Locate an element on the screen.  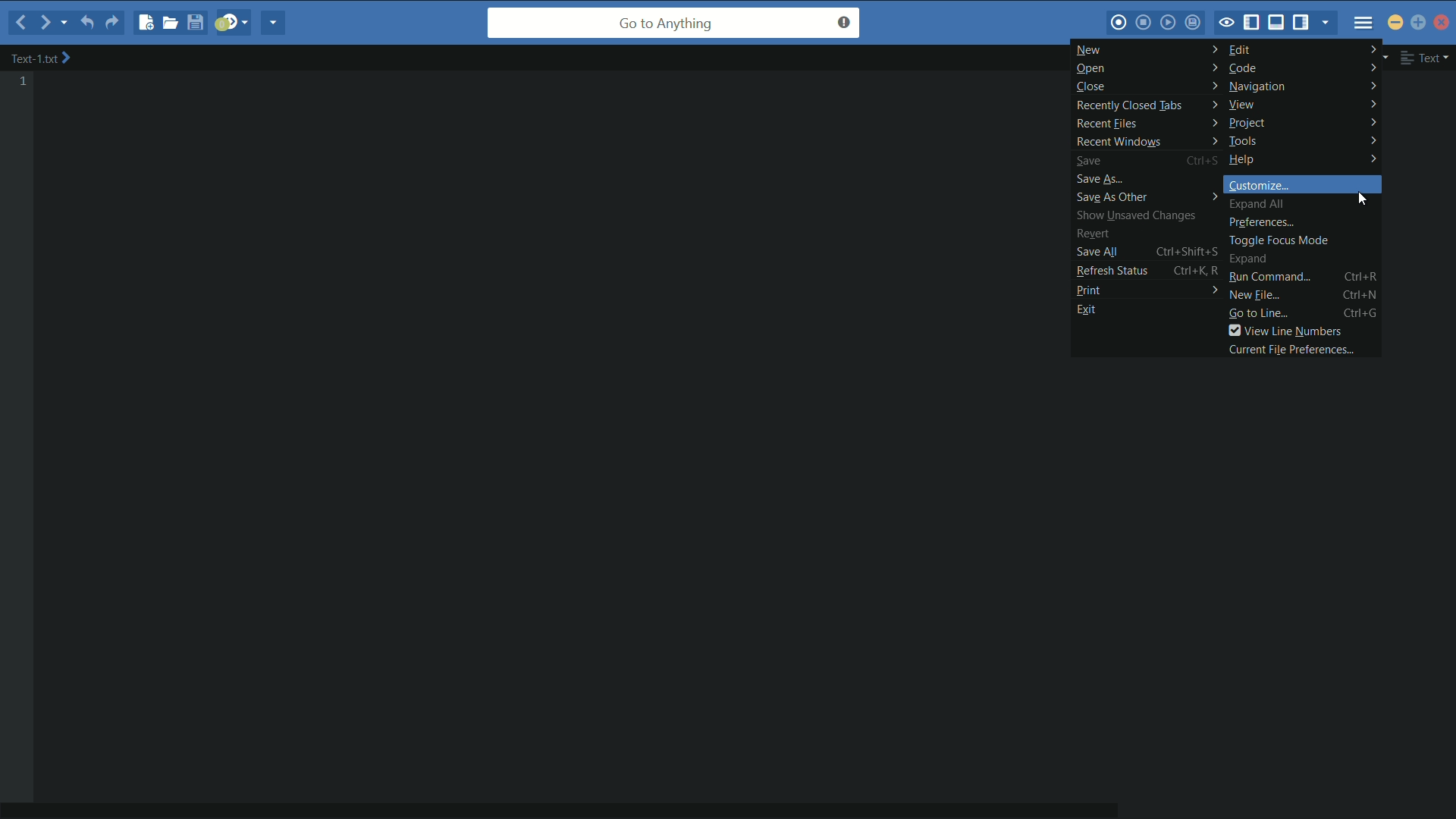
recent location is located at coordinates (64, 19).